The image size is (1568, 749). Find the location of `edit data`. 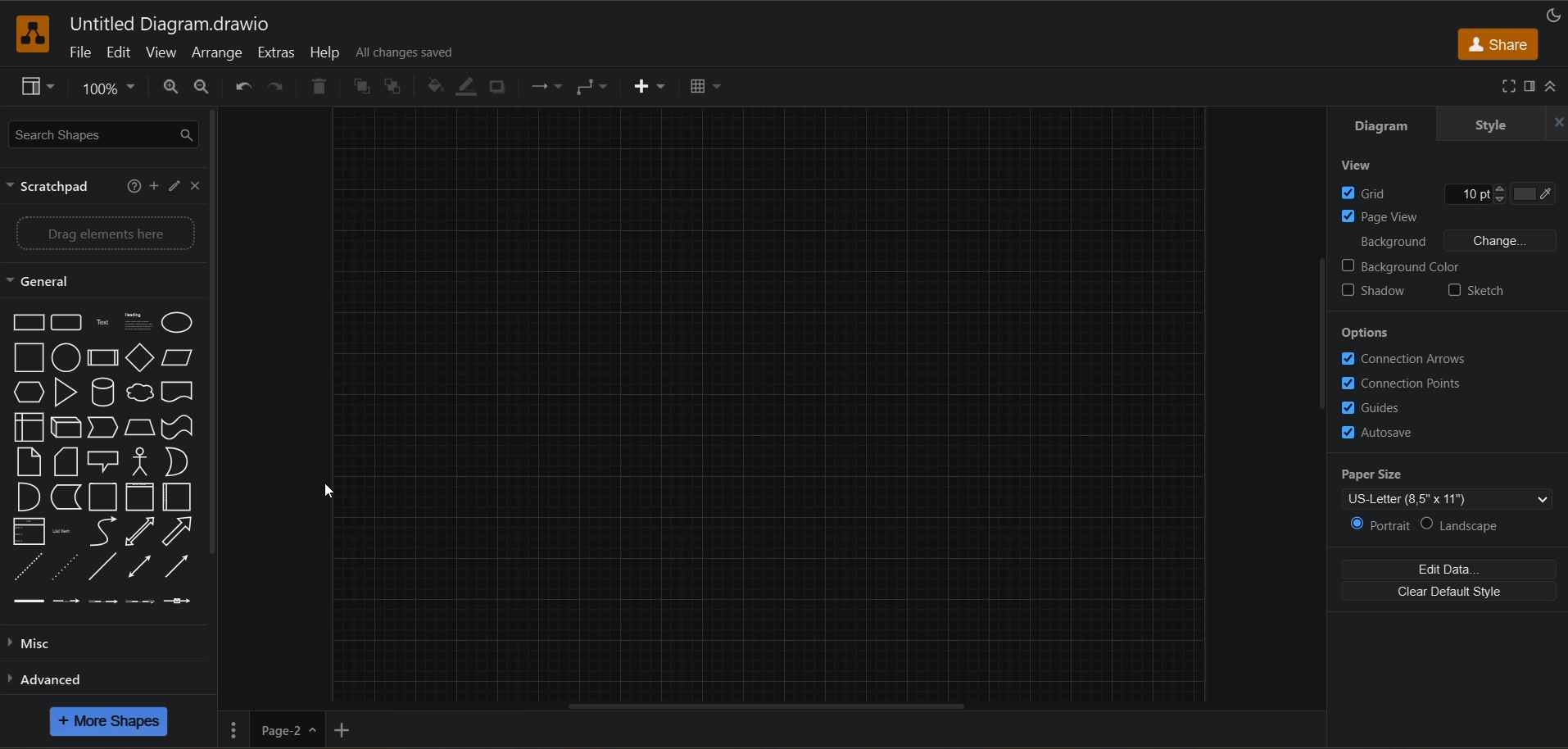

edit data is located at coordinates (1452, 570).